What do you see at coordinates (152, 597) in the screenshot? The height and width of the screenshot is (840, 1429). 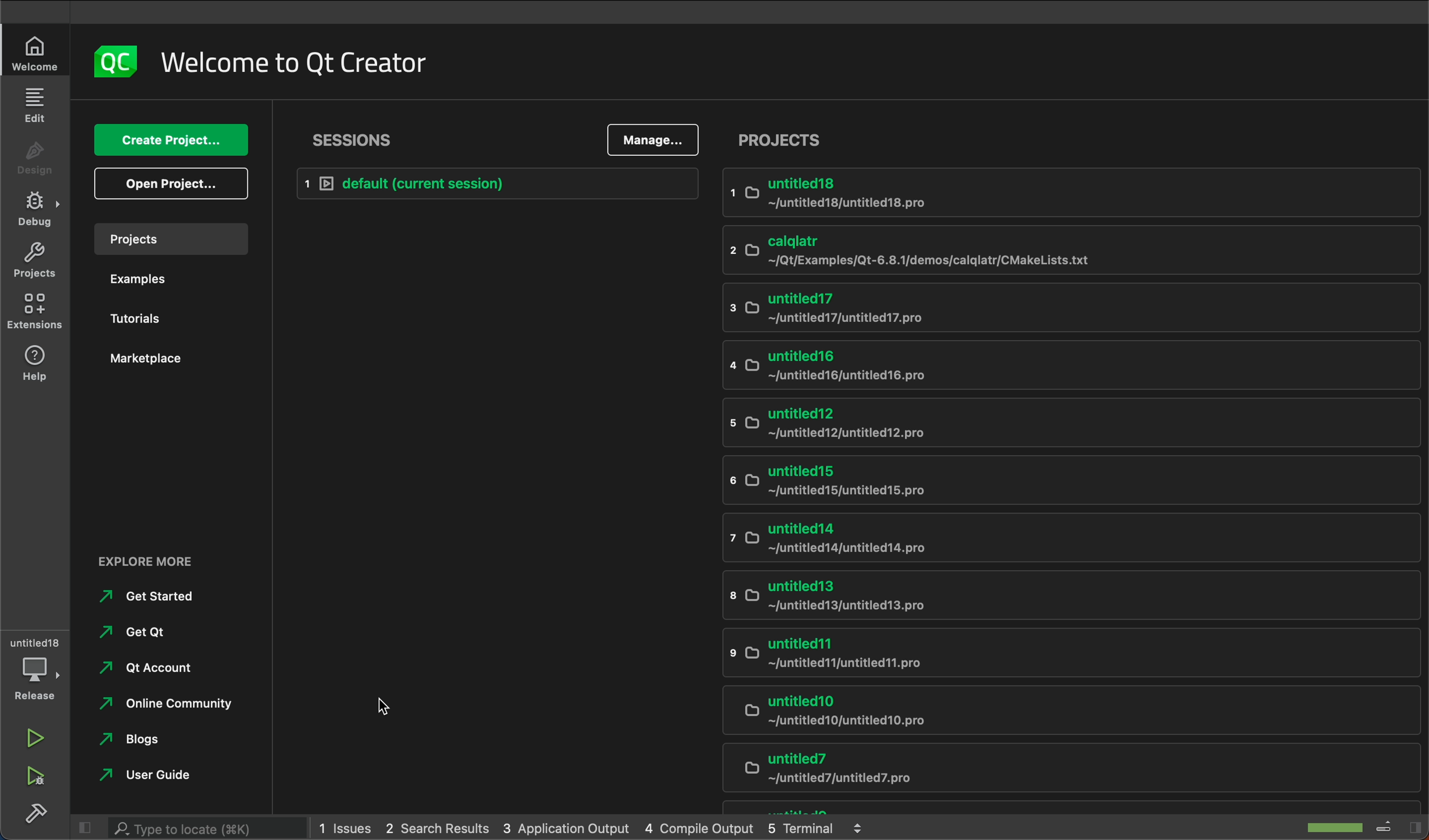 I see `started` at bounding box center [152, 597].